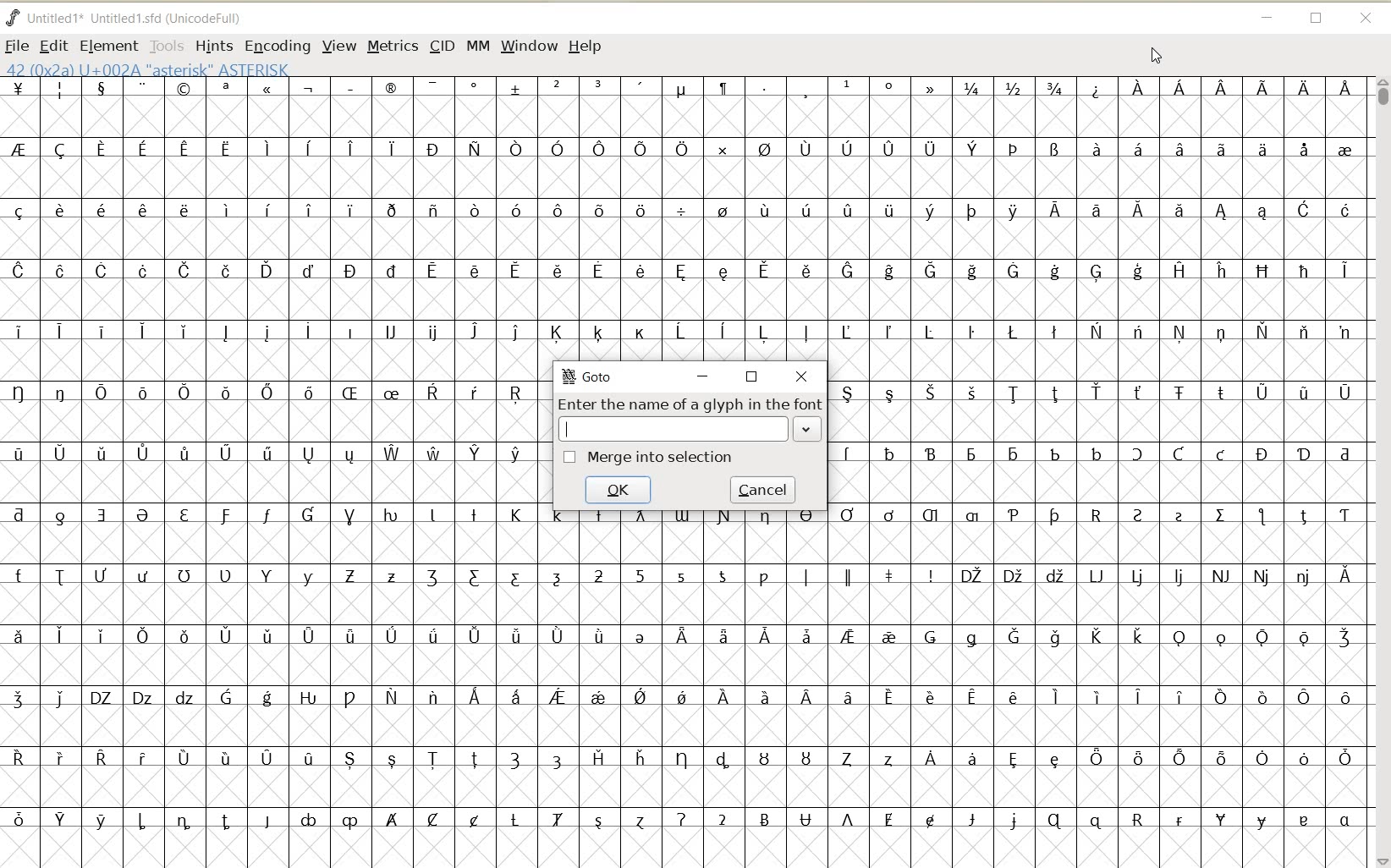  Describe the element at coordinates (1267, 18) in the screenshot. I see `MINIMIZE` at that location.